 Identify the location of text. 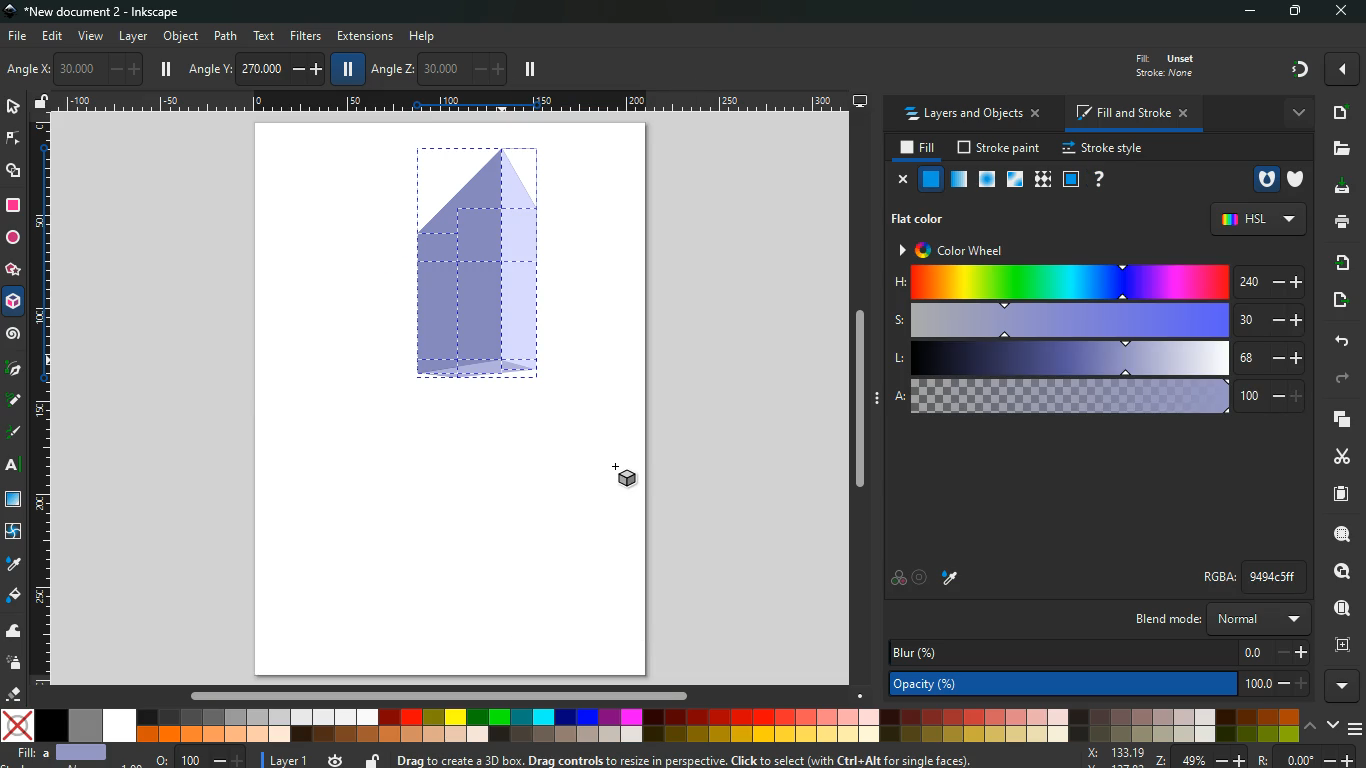
(262, 36).